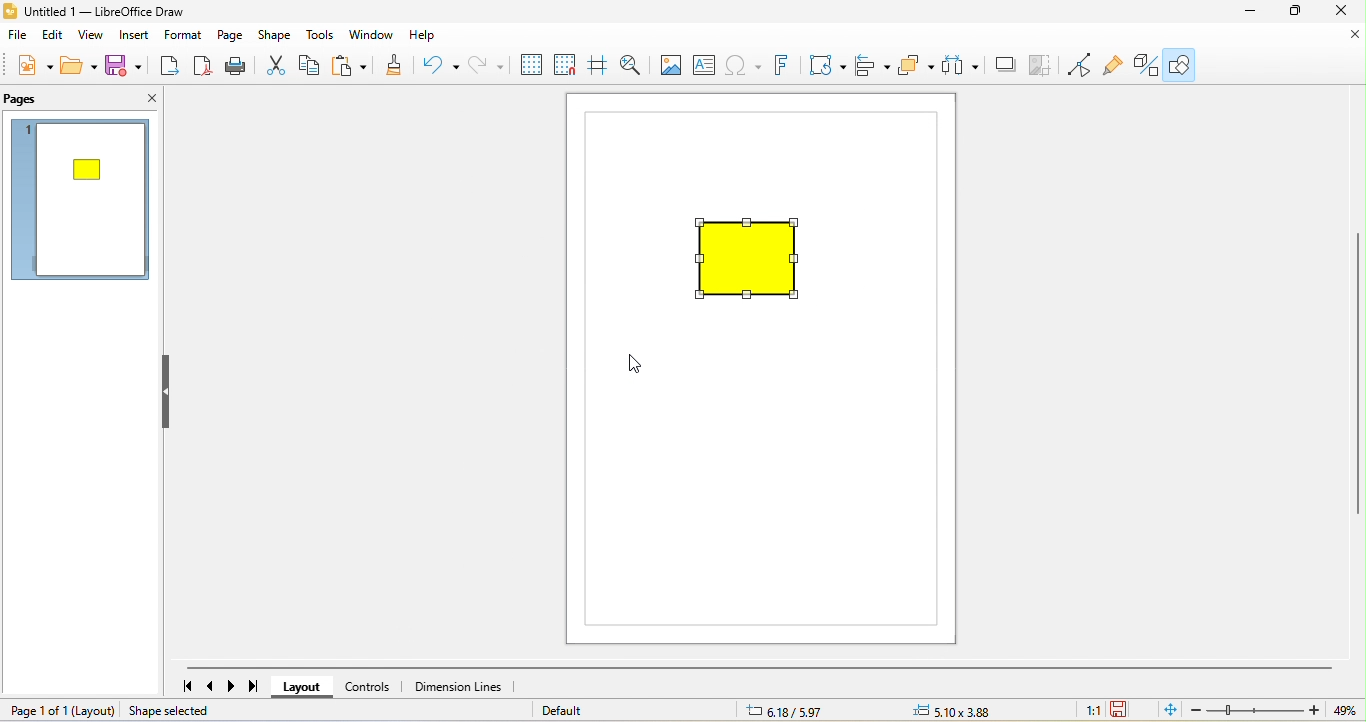 This screenshot has height=722, width=1366. What do you see at coordinates (487, 65) in the screenshot?
I see `redo` at bounding box center [487, 65].